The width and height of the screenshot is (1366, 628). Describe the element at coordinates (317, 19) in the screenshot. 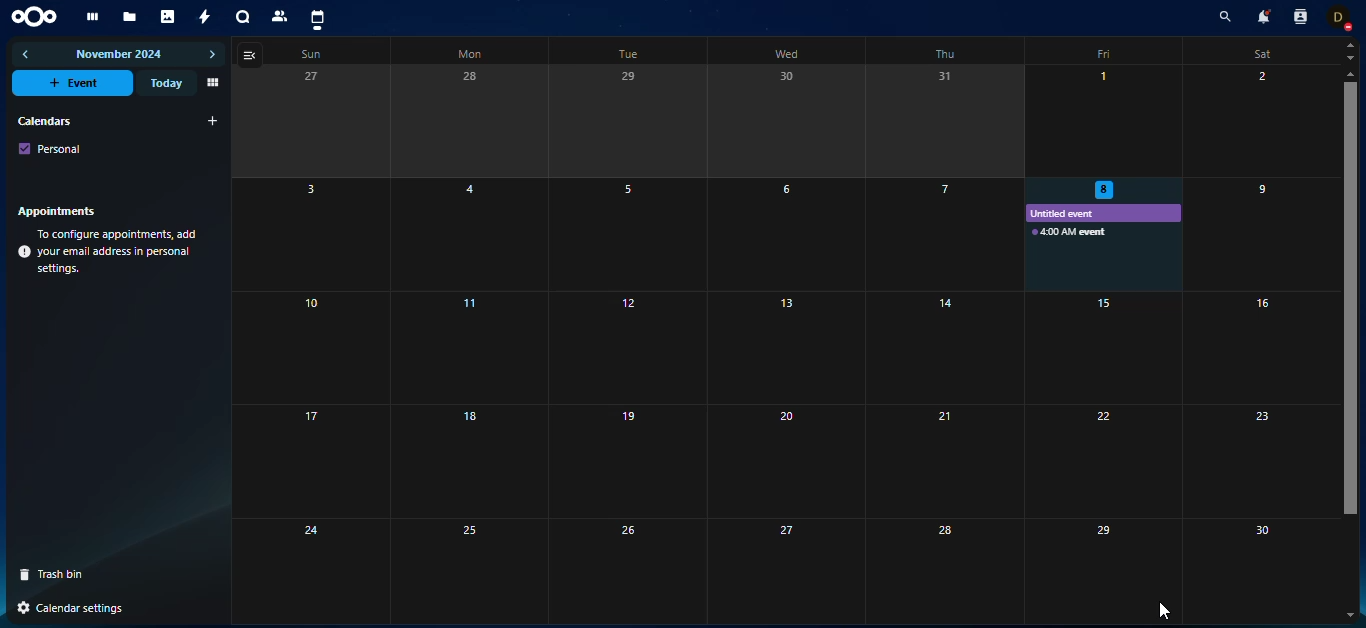

I see `calendar` at that location.